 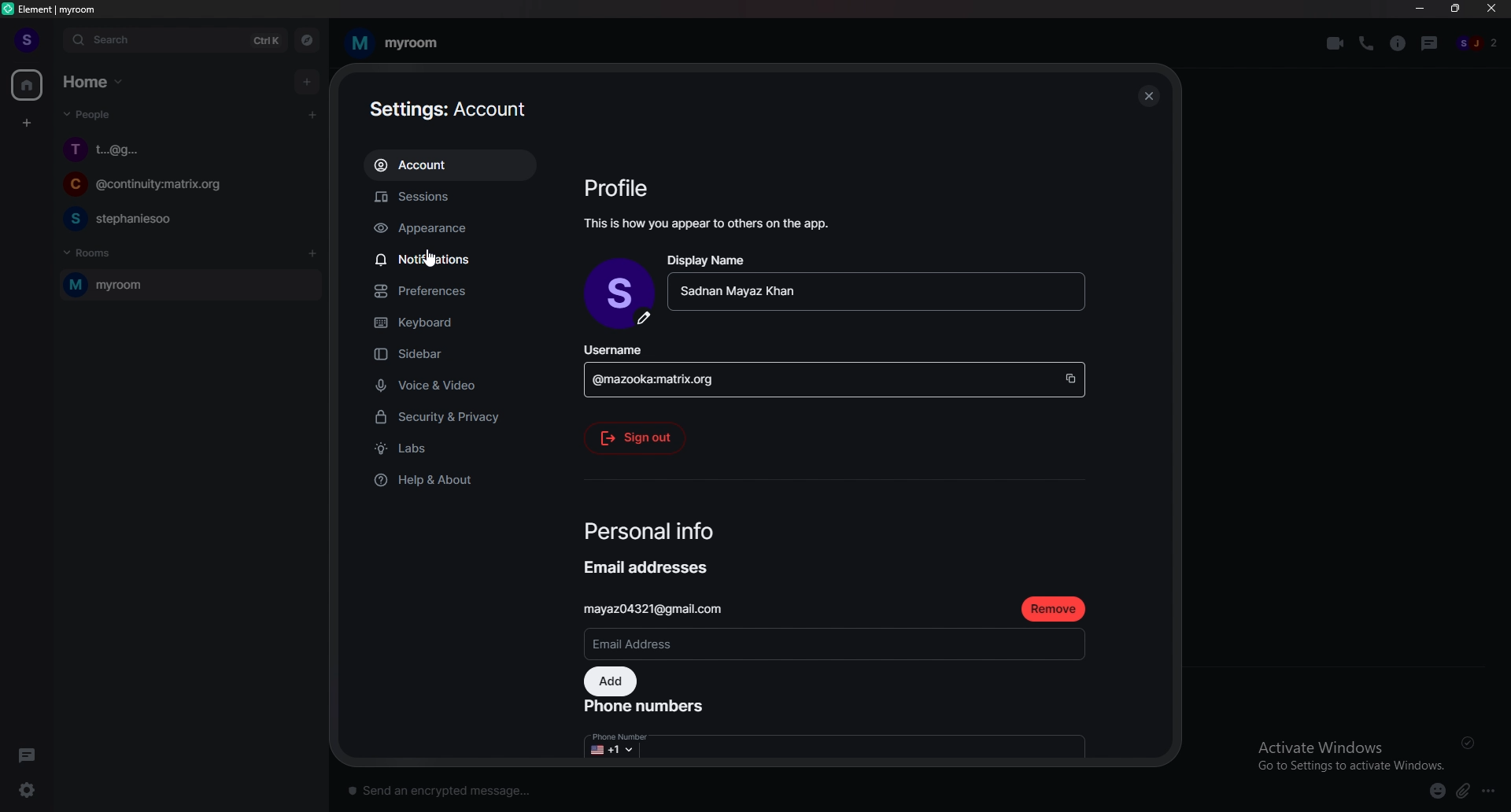 I want to click on room info, so click(x=1398, y=43).